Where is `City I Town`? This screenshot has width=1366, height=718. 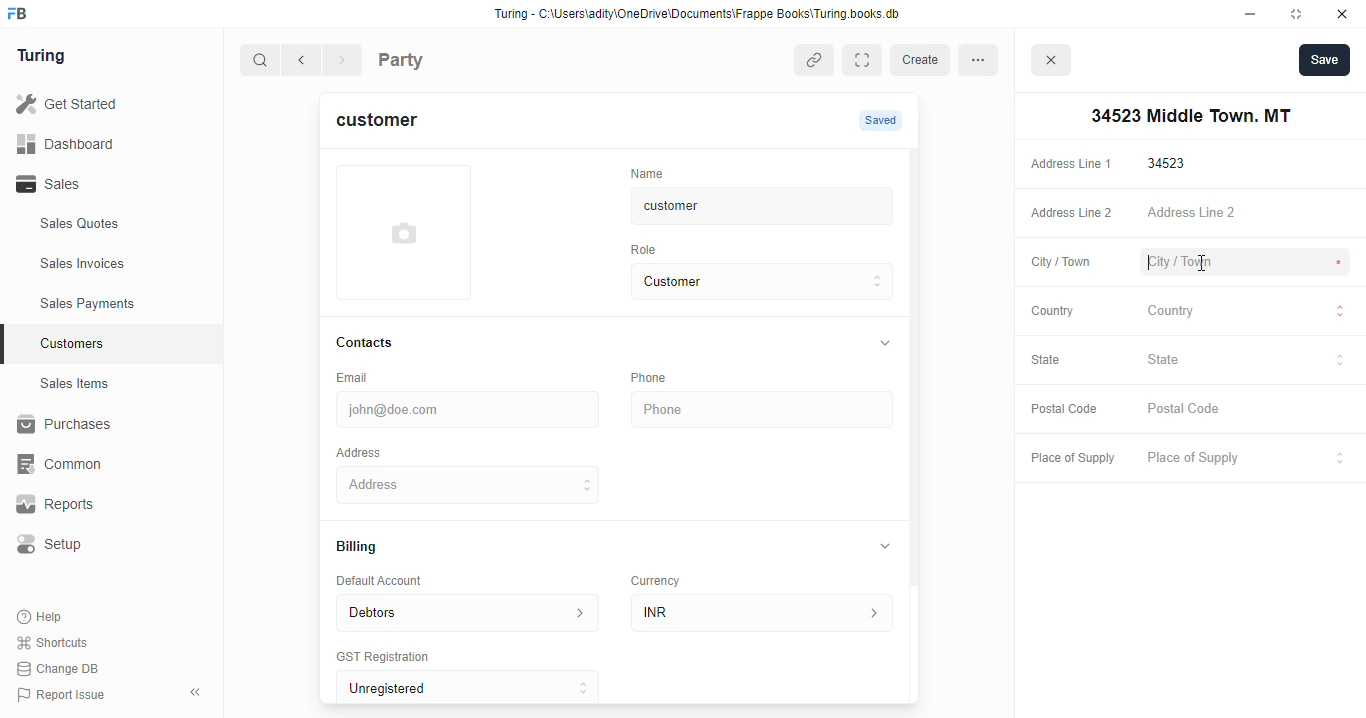
City I Town is located at coordinates (1246, 263).